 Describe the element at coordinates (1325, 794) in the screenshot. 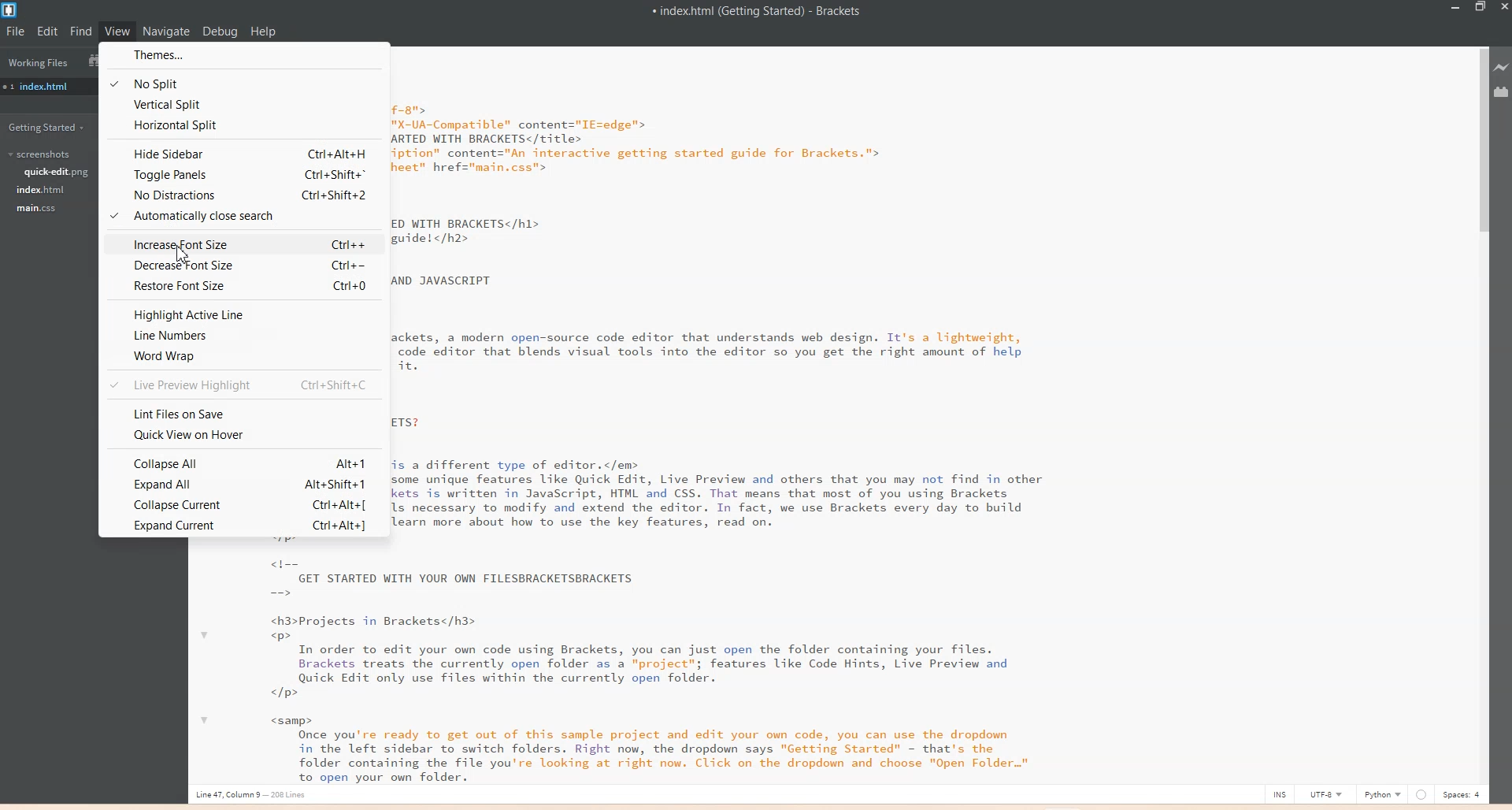

I see `UTF-8` at that location.